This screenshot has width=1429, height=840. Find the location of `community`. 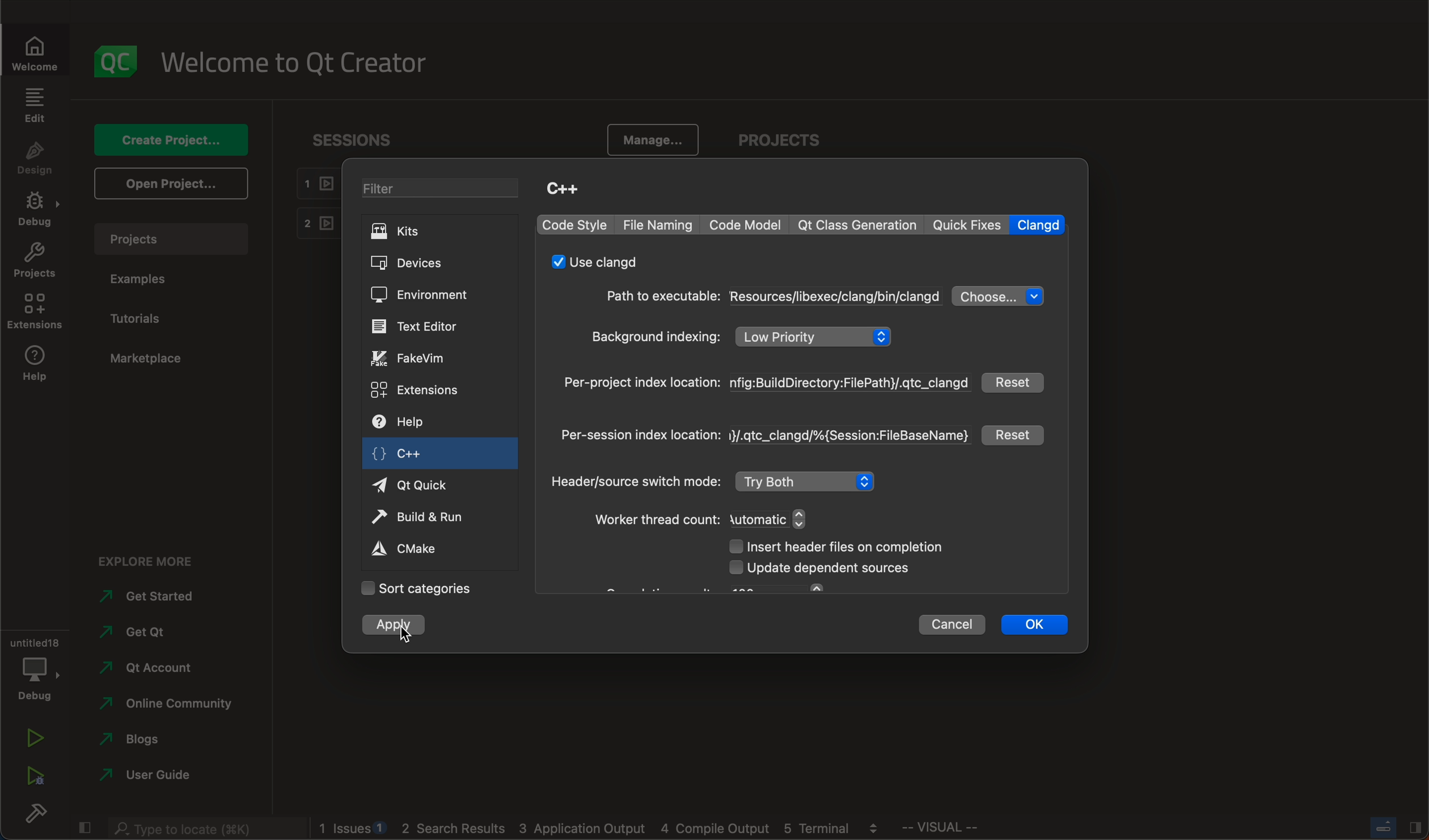

community is located at coordinates (171, 705).